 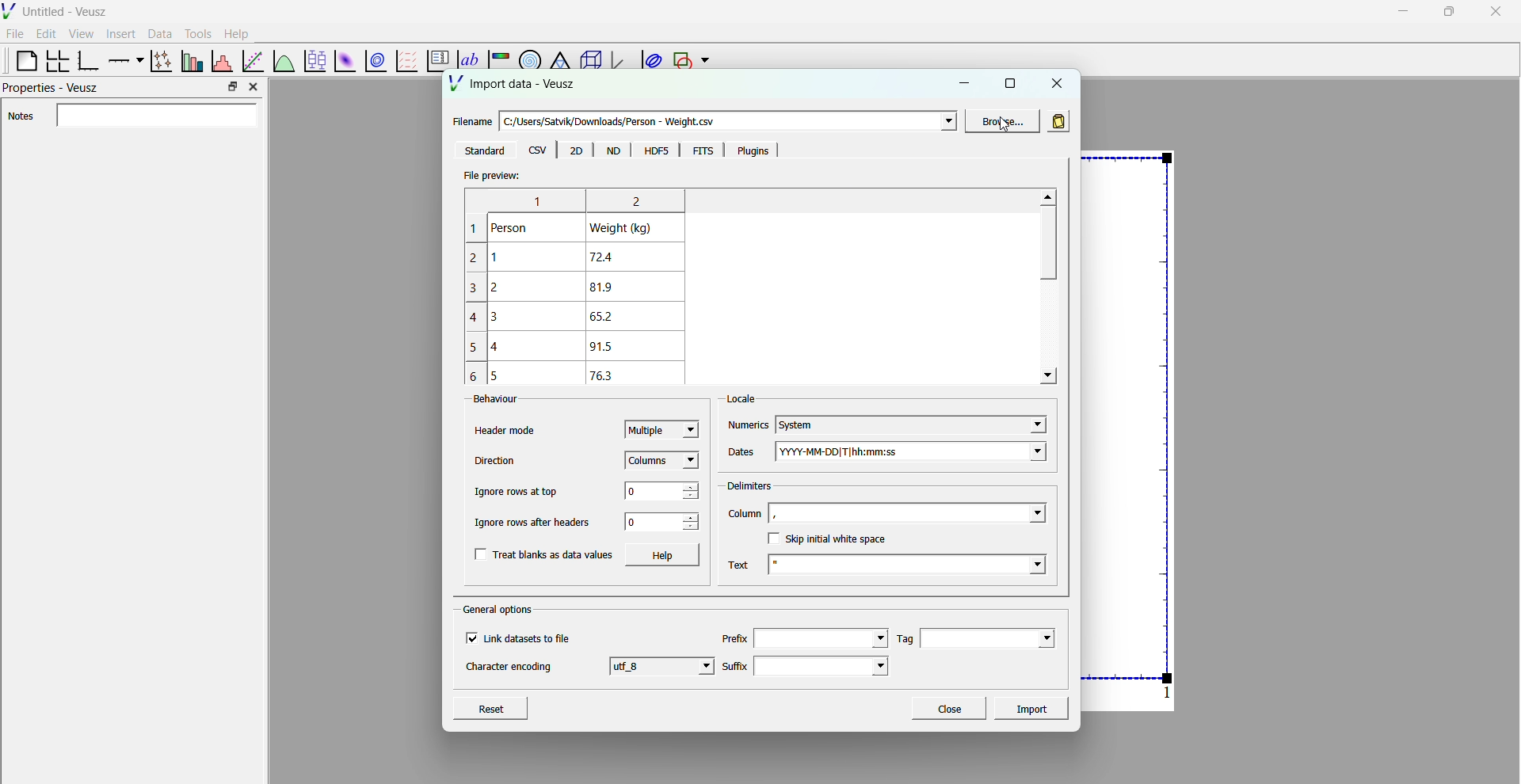 What do you see at coordinates (527, 55) in the screenshot?
I see `polar graph` at bounding box center [527, 55].